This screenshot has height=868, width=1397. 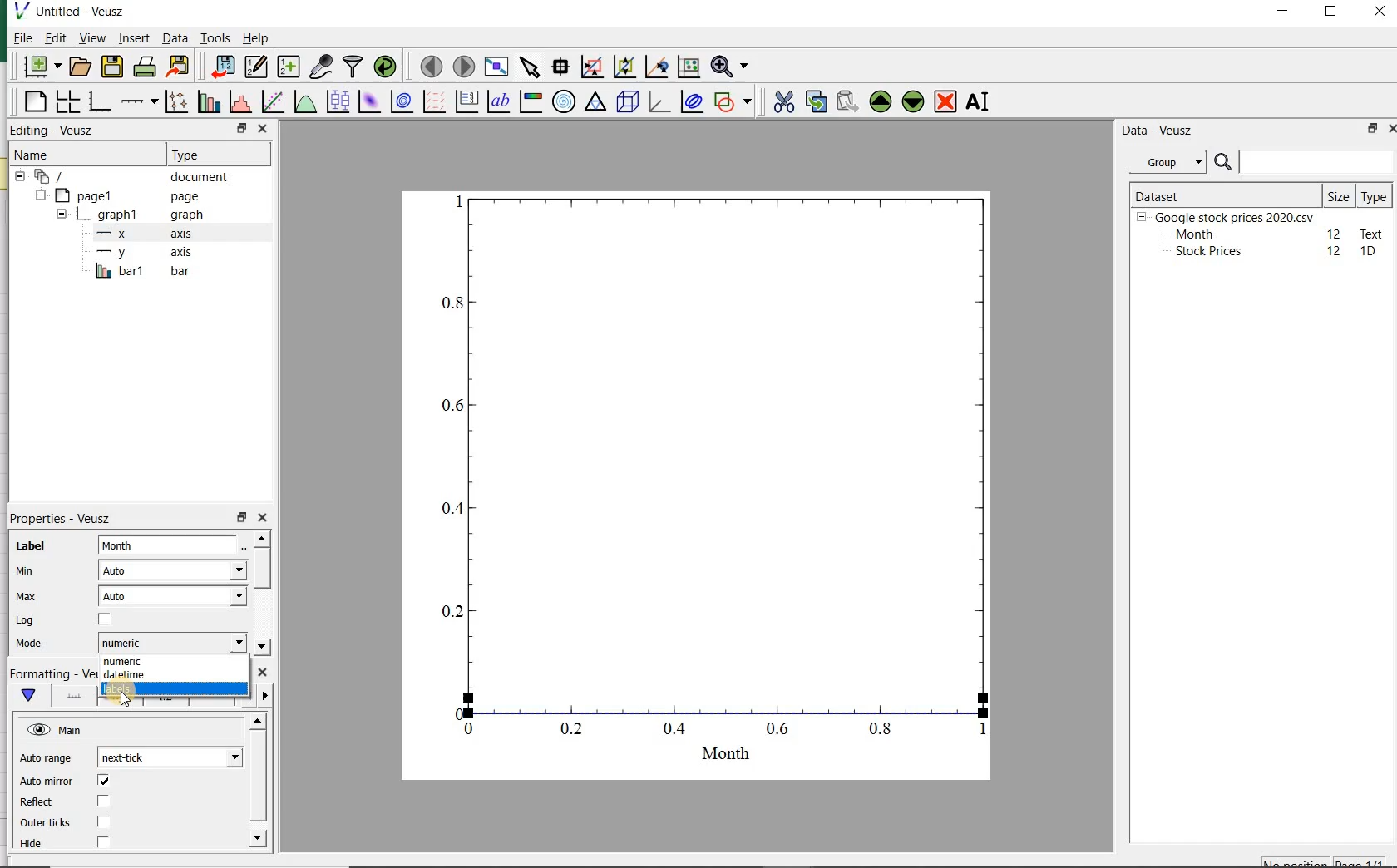 I want to click on labels, so click(x=118, y=691).